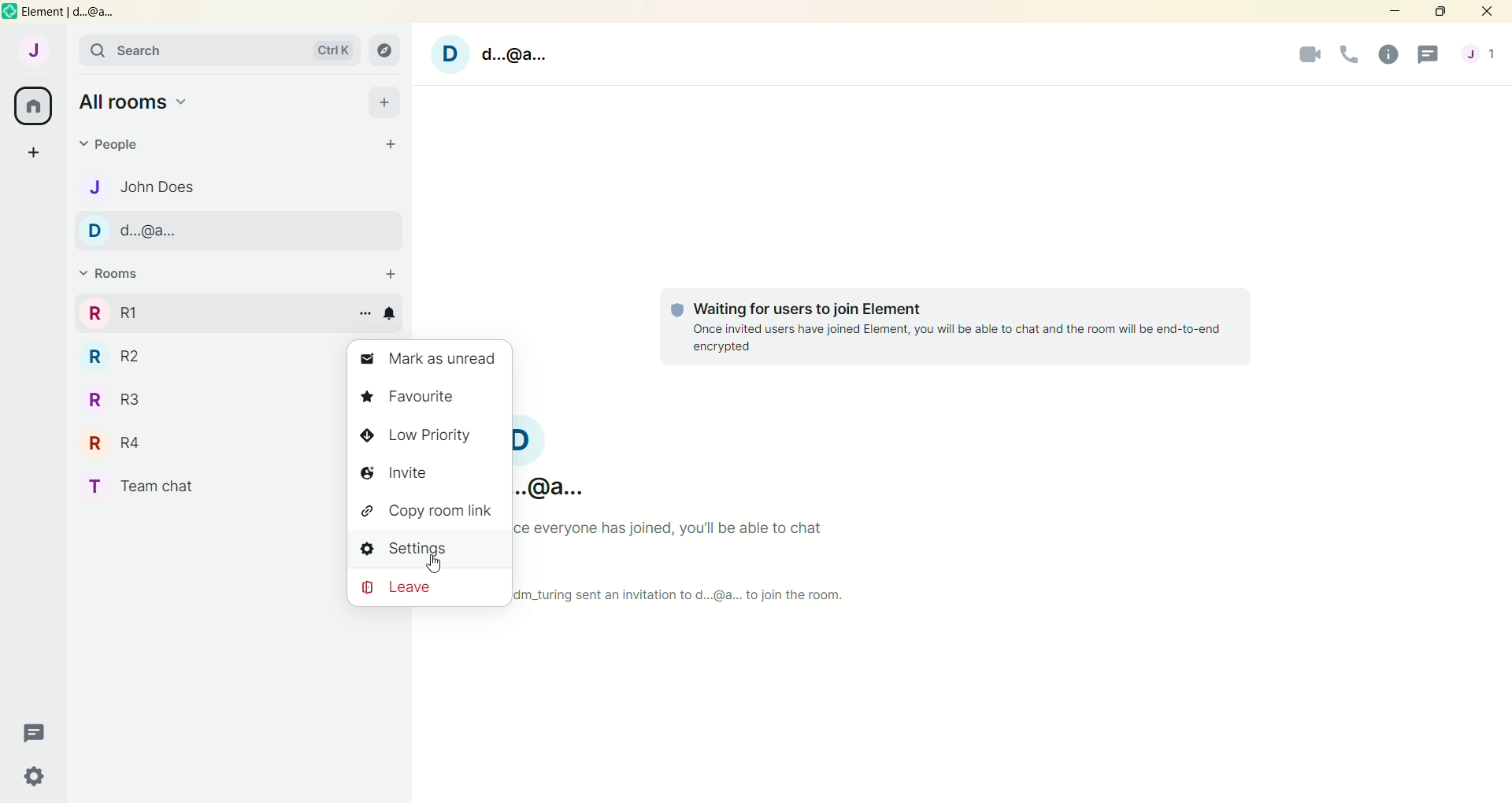  I want to click on room info, so click(1385, 54).